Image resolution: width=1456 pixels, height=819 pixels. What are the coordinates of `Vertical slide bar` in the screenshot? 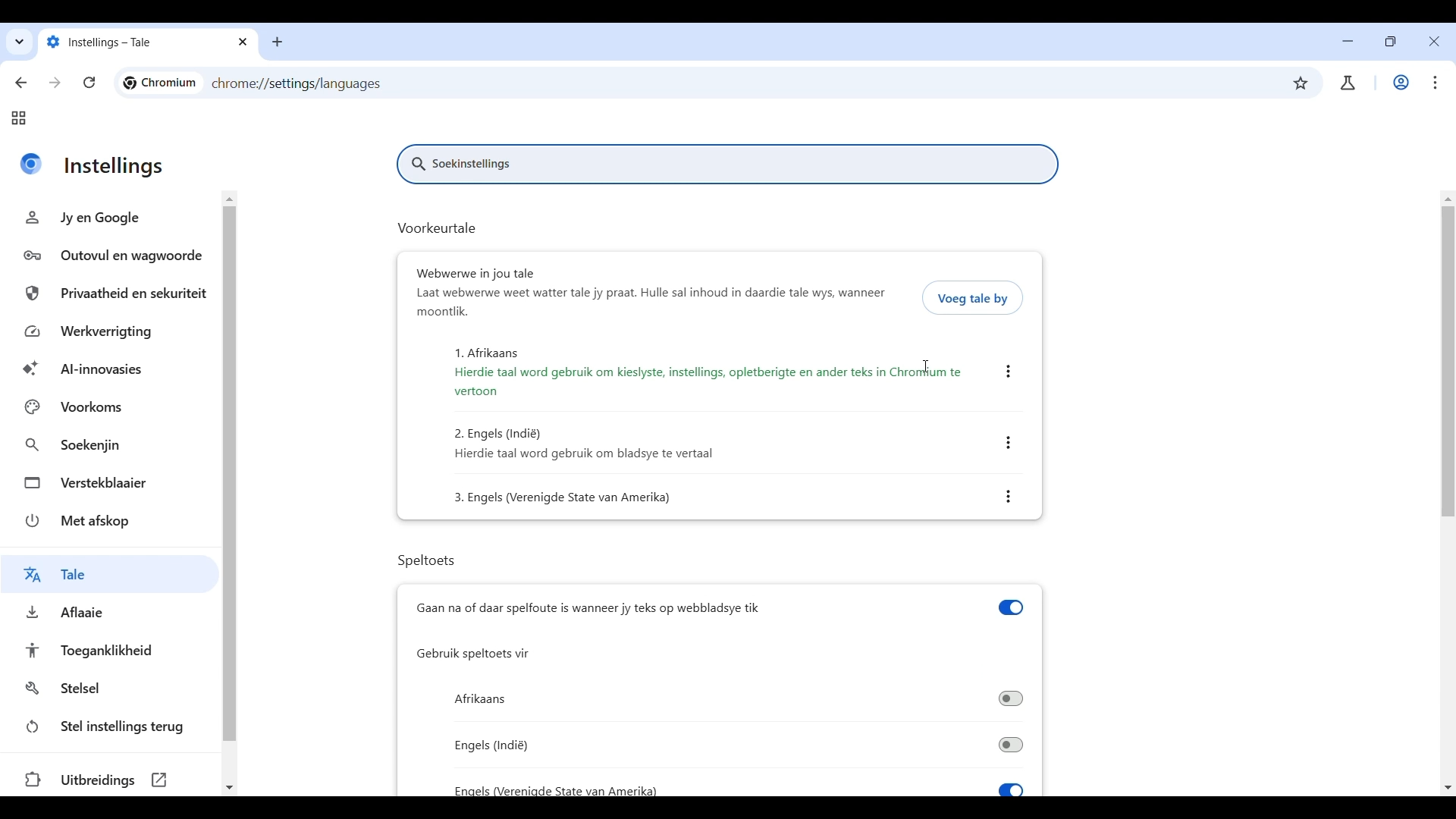 It's located at (1448, 363).